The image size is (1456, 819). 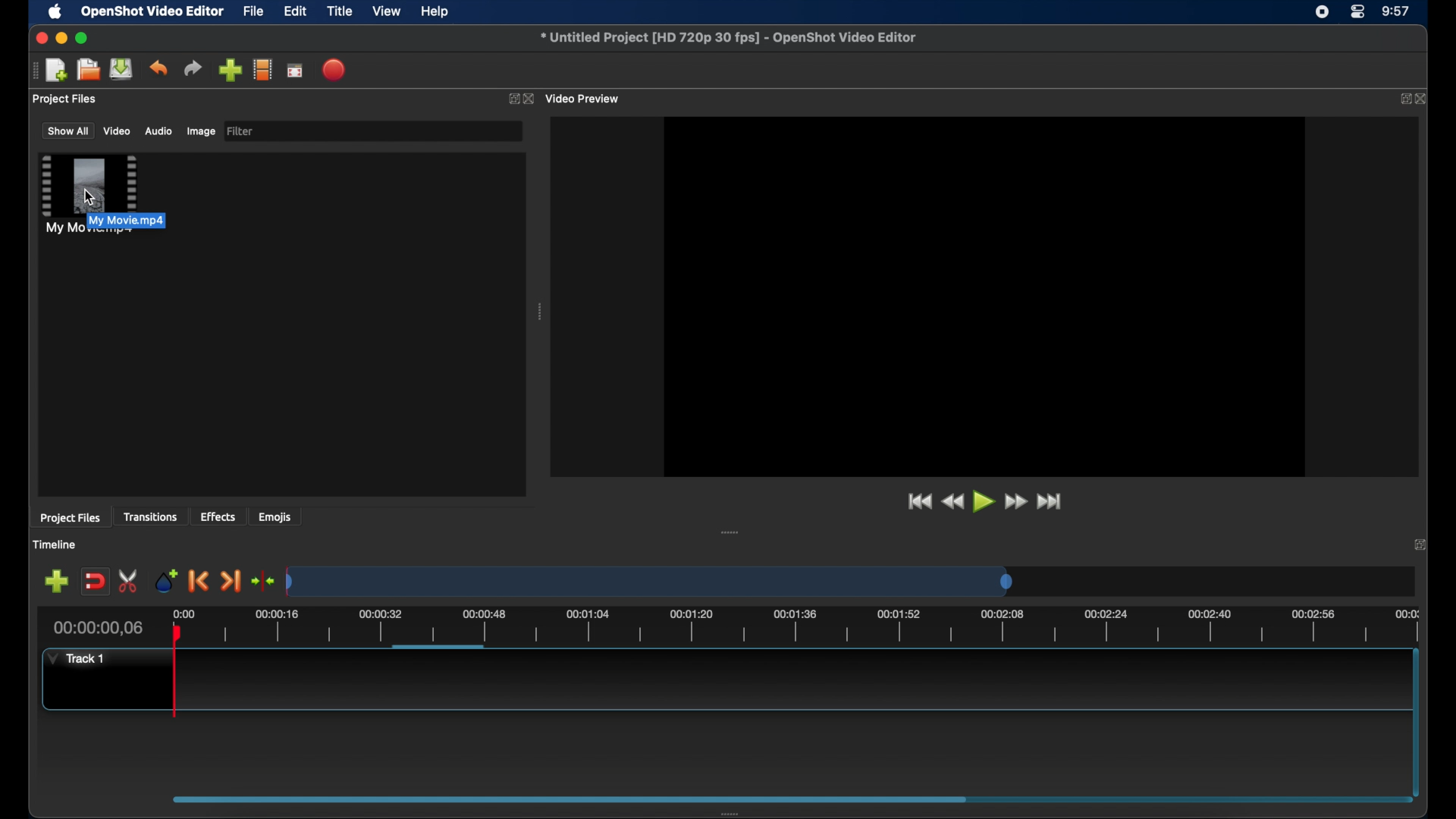 I want to click on next marker, so click(x=231, y=582).